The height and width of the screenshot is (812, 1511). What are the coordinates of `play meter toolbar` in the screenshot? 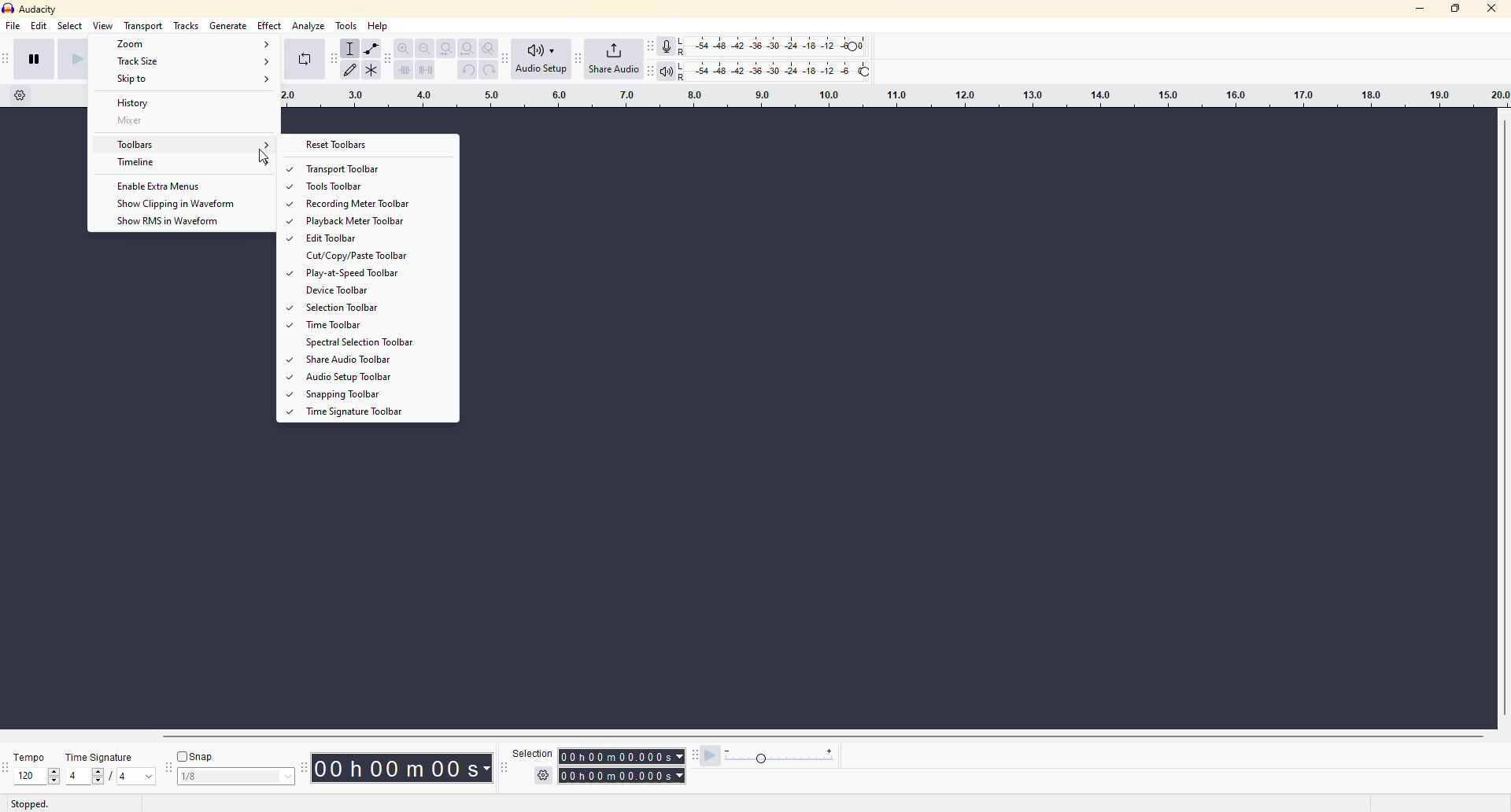 It's located at (650, 71).